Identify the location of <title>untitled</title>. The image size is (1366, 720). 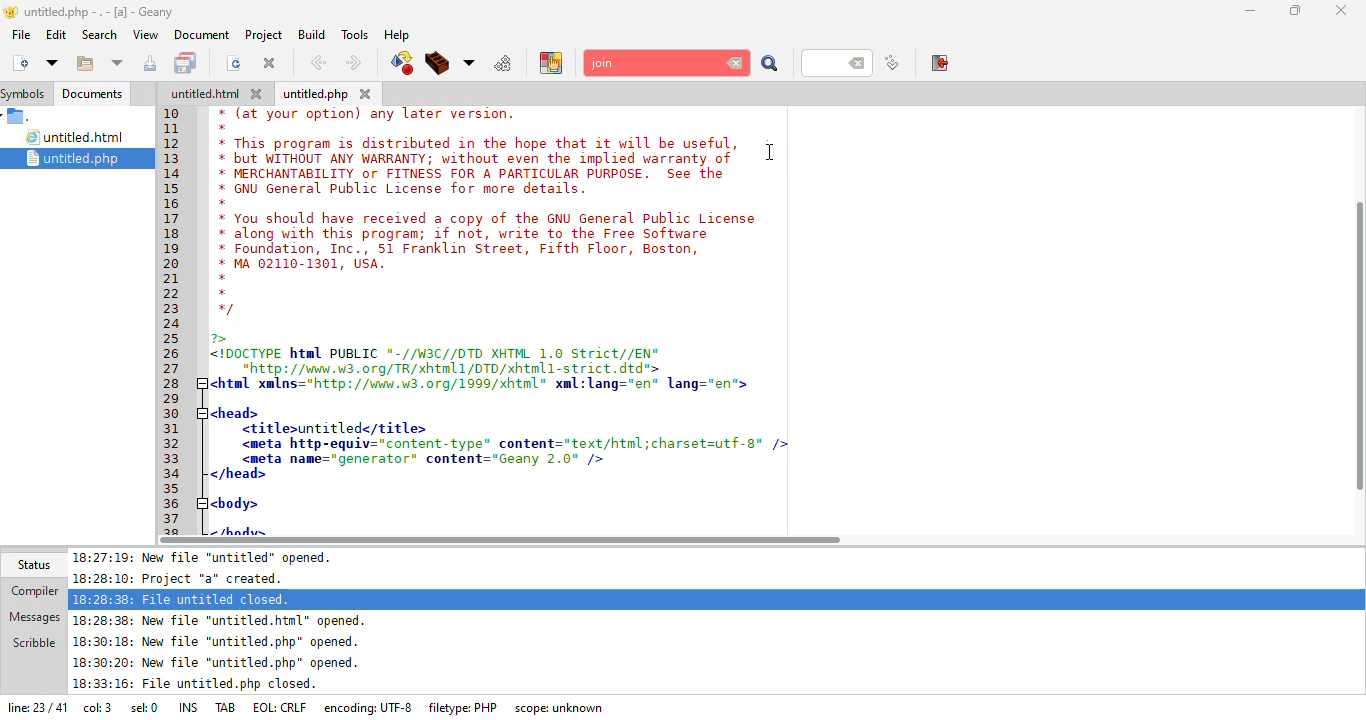
(335, 429).